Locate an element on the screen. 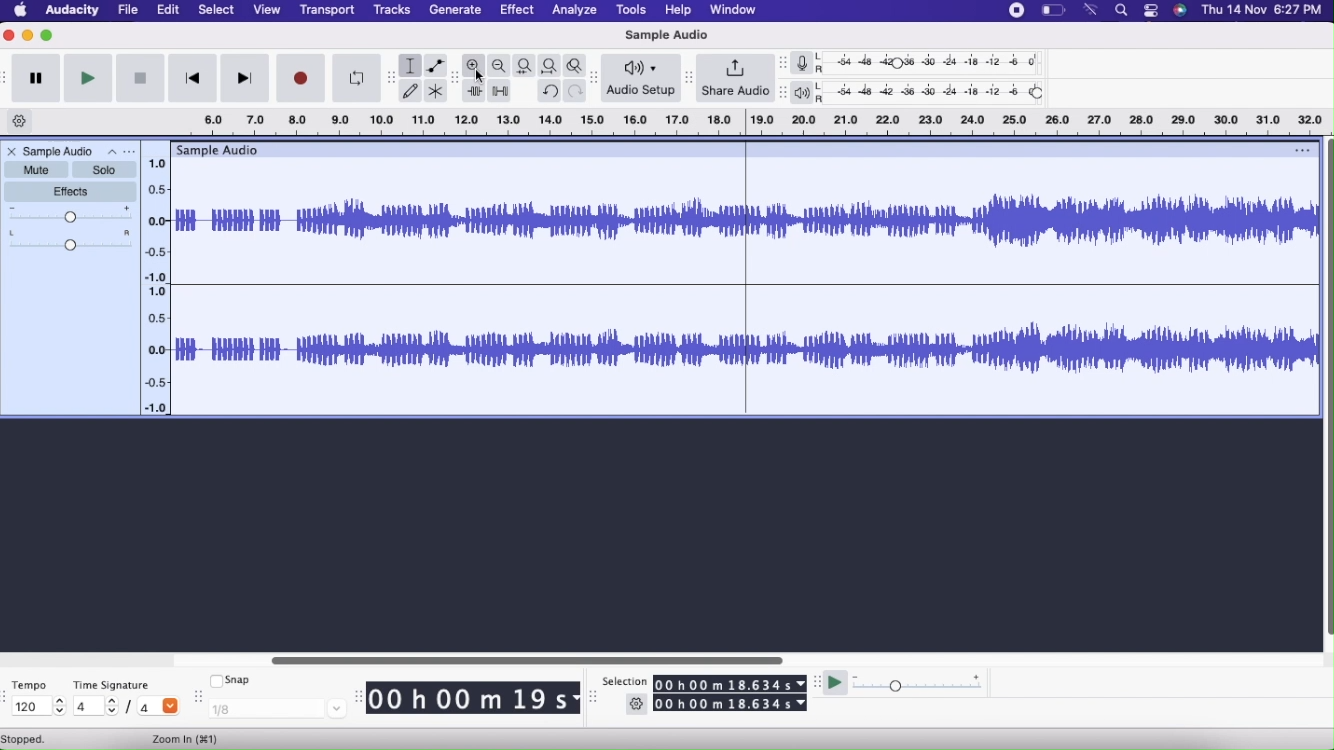 Image resolution: width=1334 pixels, height=750 pixels. Skip to end is located at coordinates (246, 78).